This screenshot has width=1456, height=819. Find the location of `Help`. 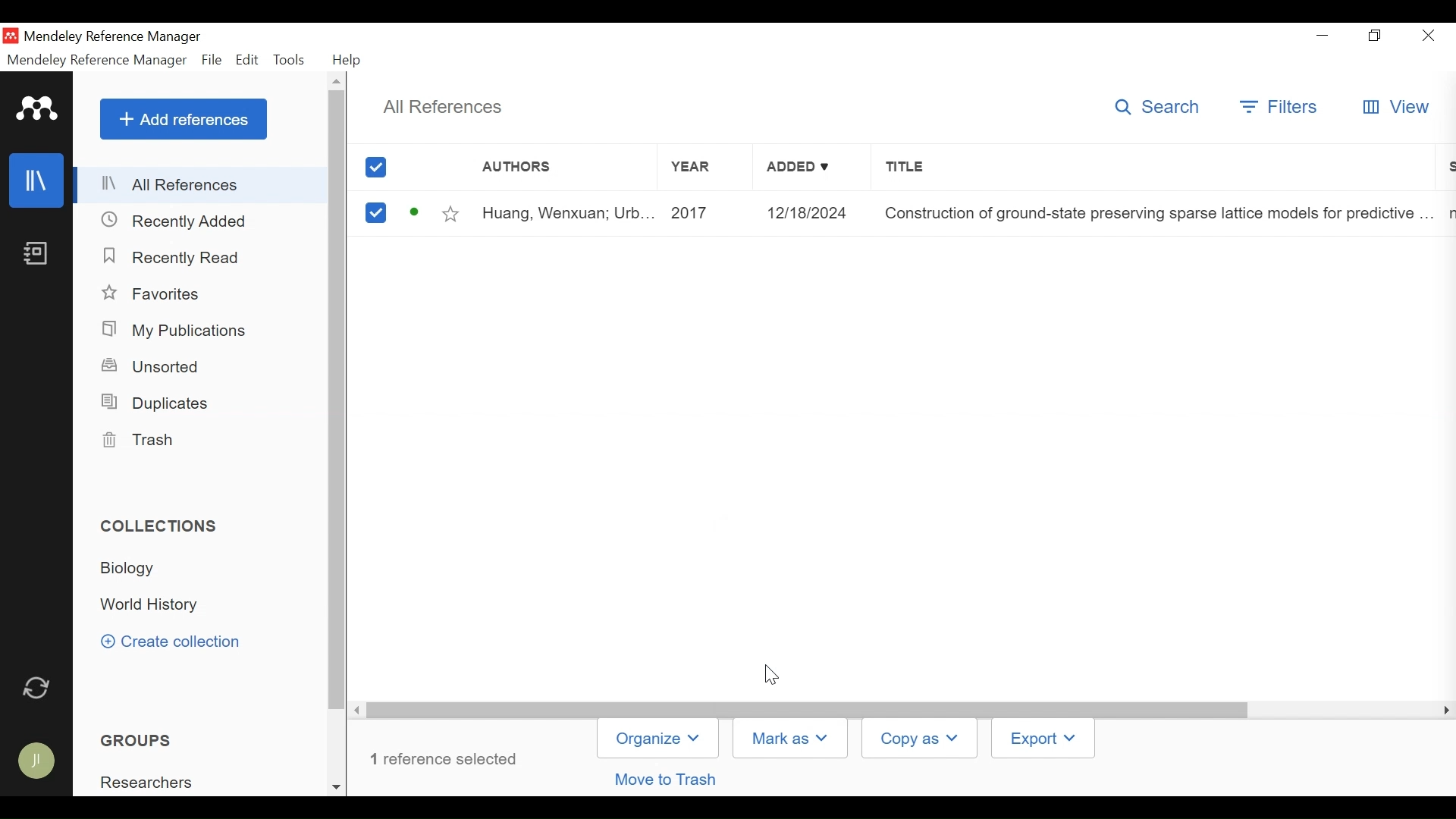

Help is located at coordinates (347, 60).